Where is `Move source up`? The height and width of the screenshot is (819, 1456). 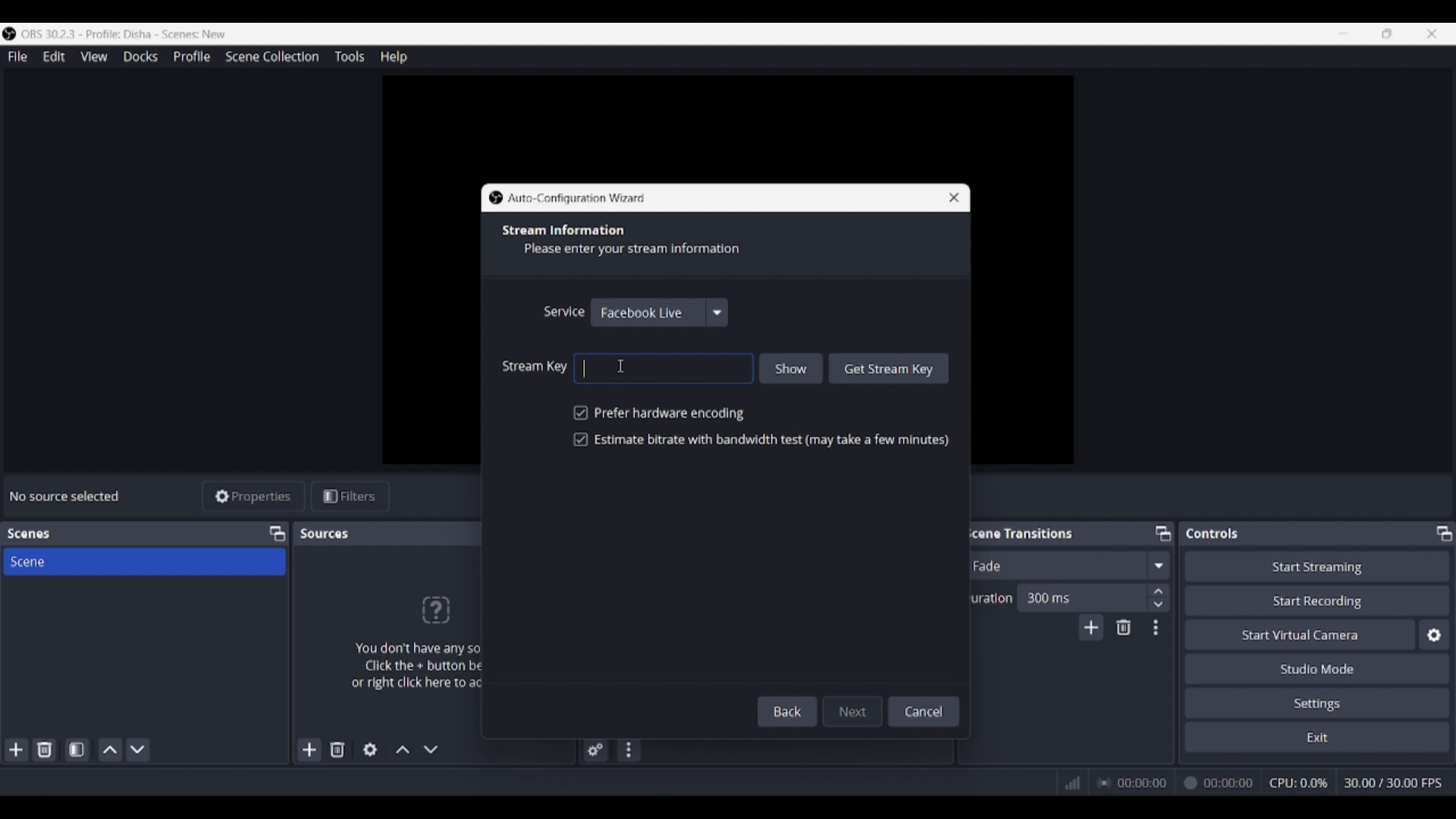
Move source up is located at coordinates (403, 749).